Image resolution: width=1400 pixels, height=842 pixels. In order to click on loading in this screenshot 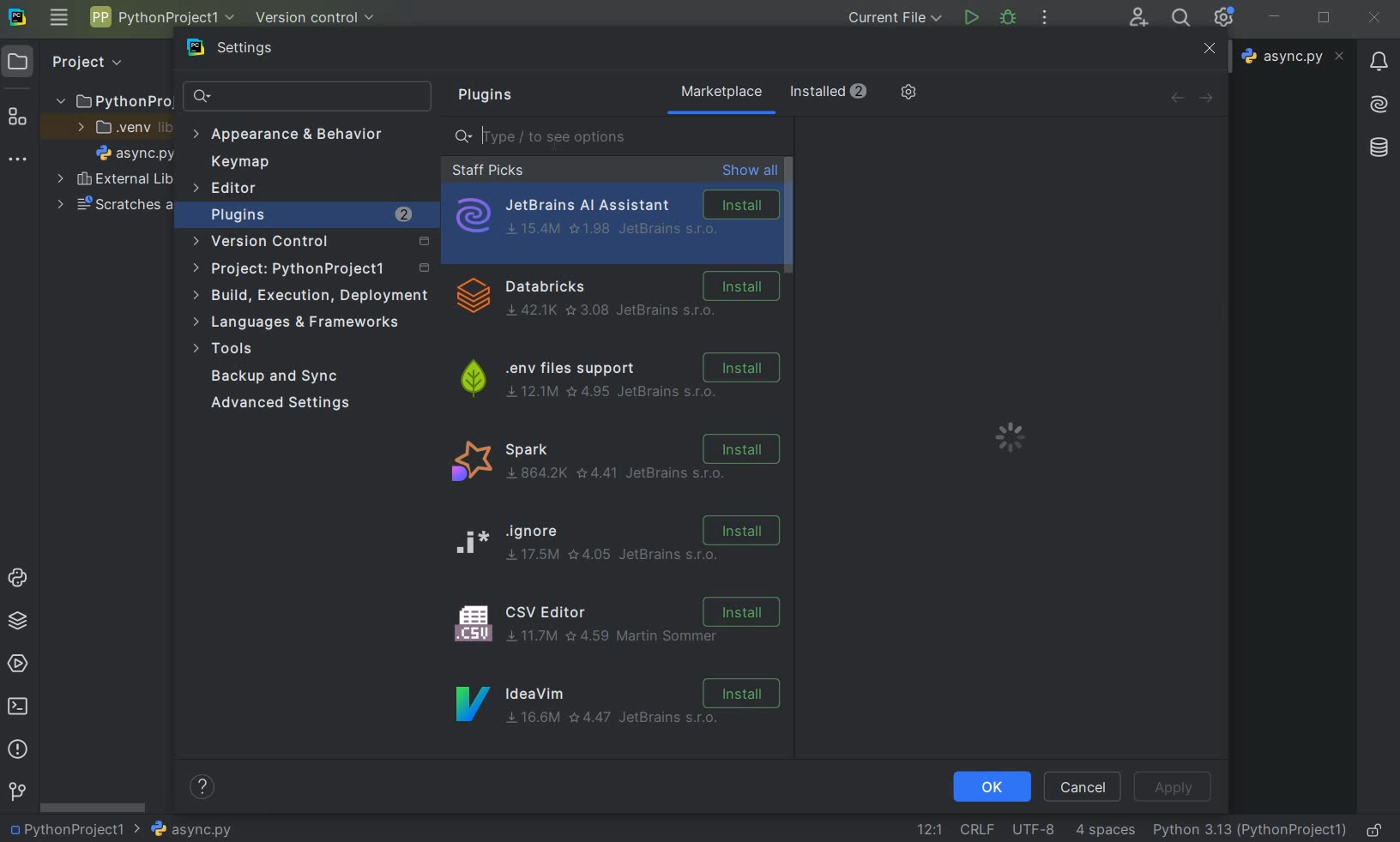, I will do `click(1014, 438)`.